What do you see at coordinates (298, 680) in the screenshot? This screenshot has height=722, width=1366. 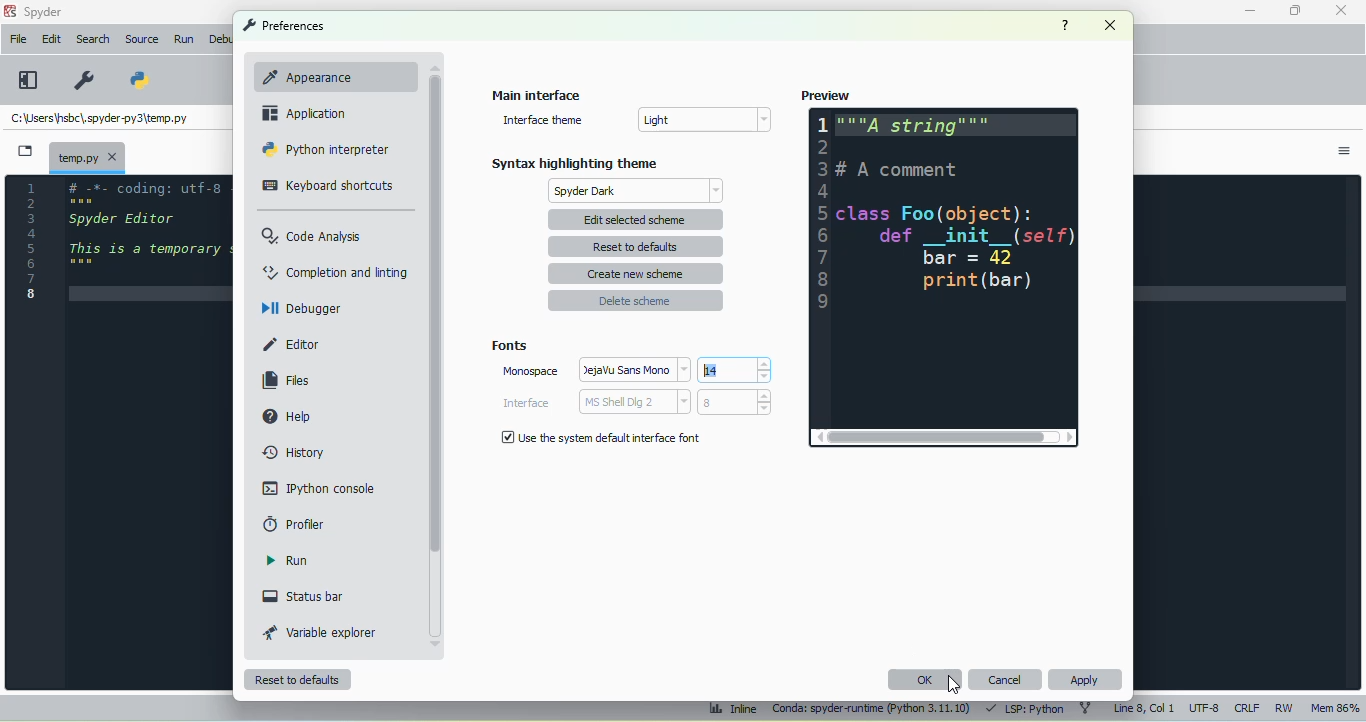 I see `reset to defaults` at bounding box center [298, 680].